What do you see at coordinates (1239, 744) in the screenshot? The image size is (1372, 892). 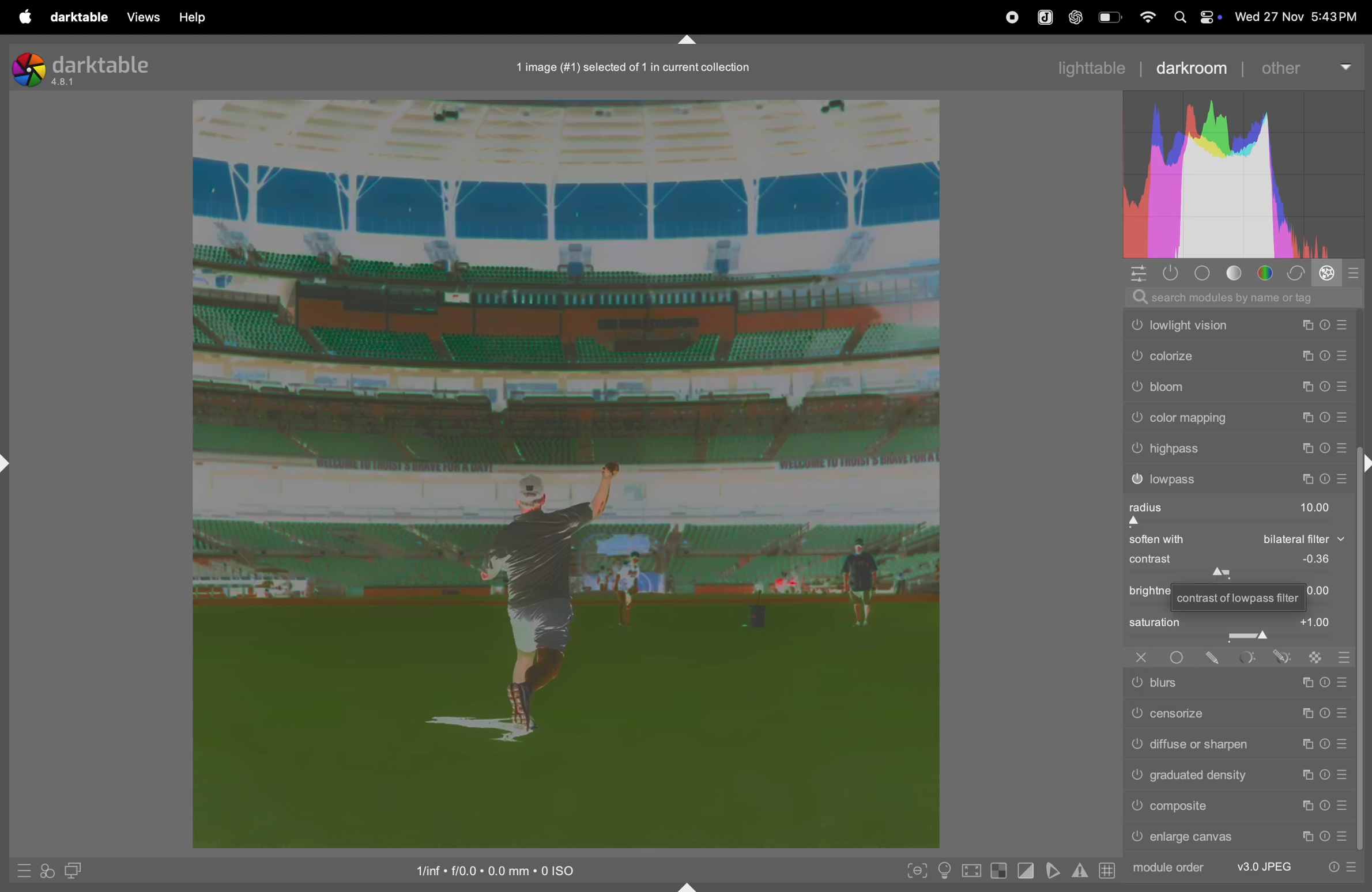 I see `diffuse or sharpen` at bounding box center [1239, 744].